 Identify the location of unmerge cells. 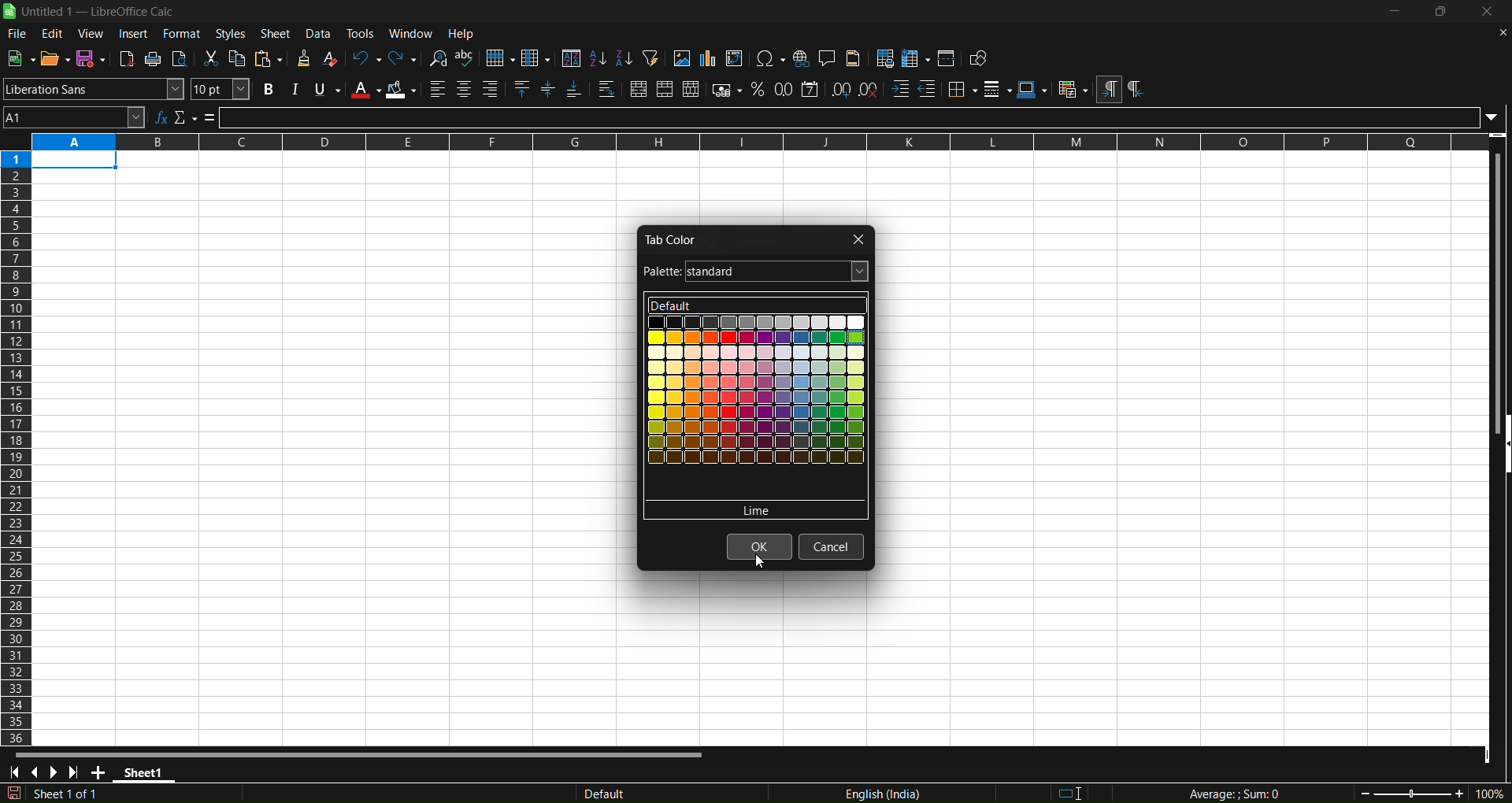
(691, 89).